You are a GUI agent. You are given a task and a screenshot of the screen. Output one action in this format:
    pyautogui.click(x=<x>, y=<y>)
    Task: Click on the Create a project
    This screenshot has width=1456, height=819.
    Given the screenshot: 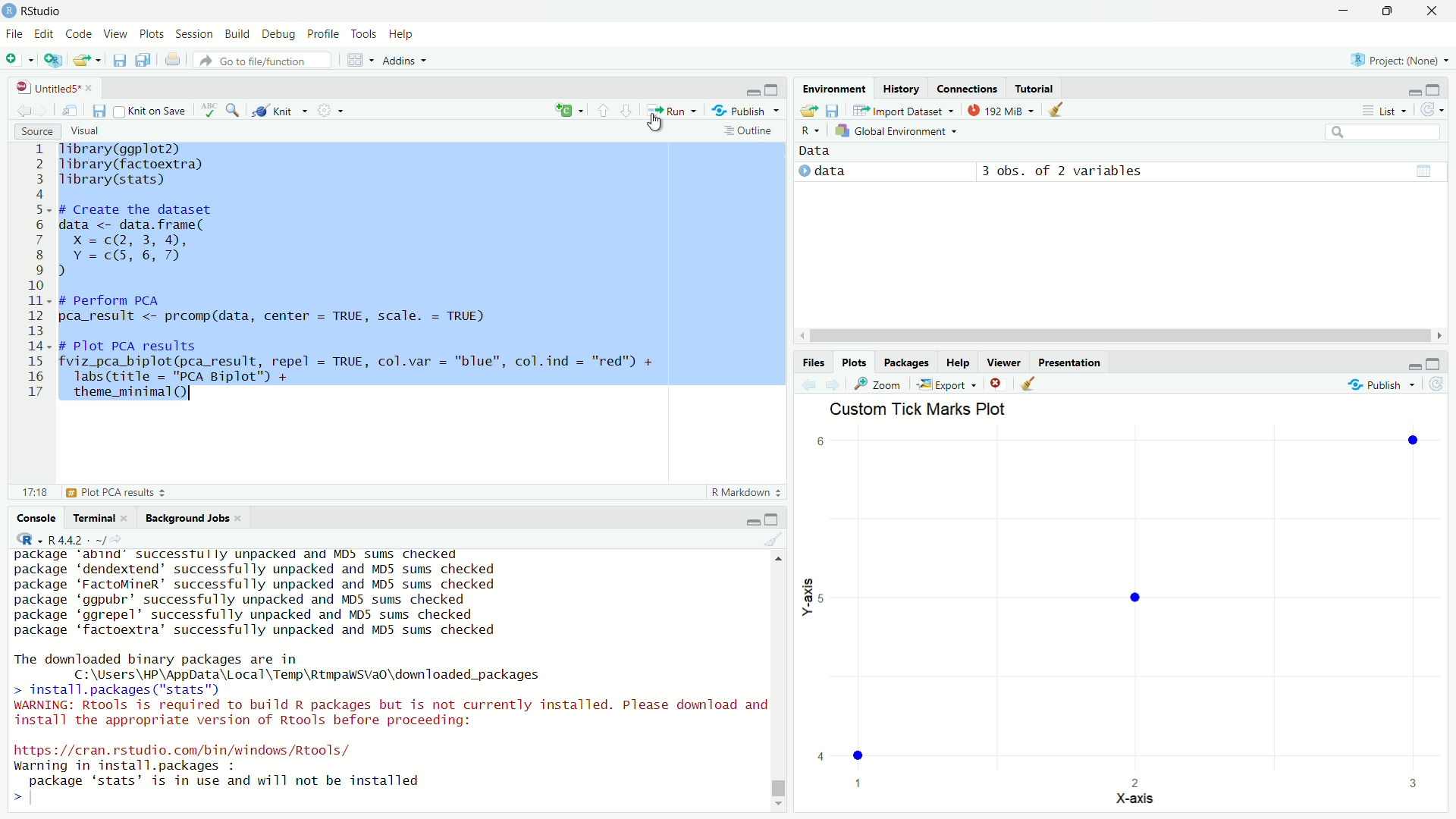 What is the action you would take?
    pyautogui.click(x=53, y=60)
    